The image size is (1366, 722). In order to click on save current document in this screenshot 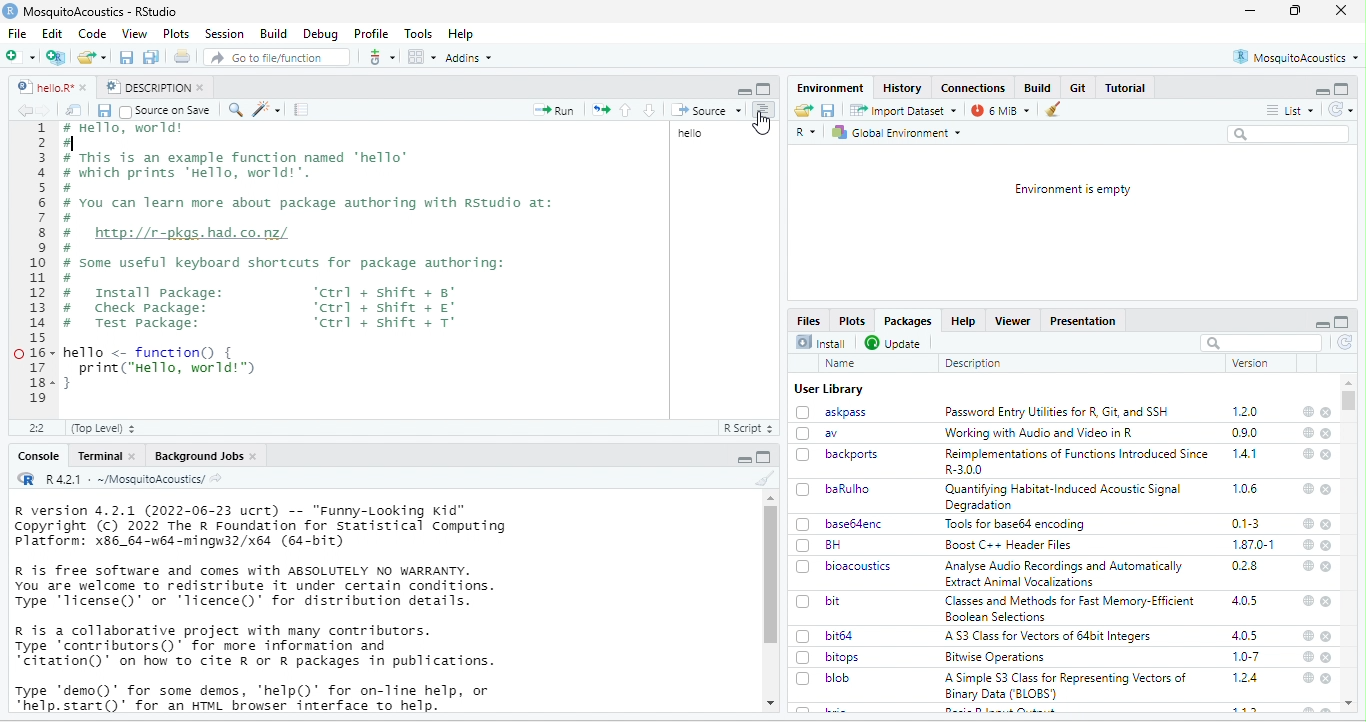, I will do `click(127, 57)`.